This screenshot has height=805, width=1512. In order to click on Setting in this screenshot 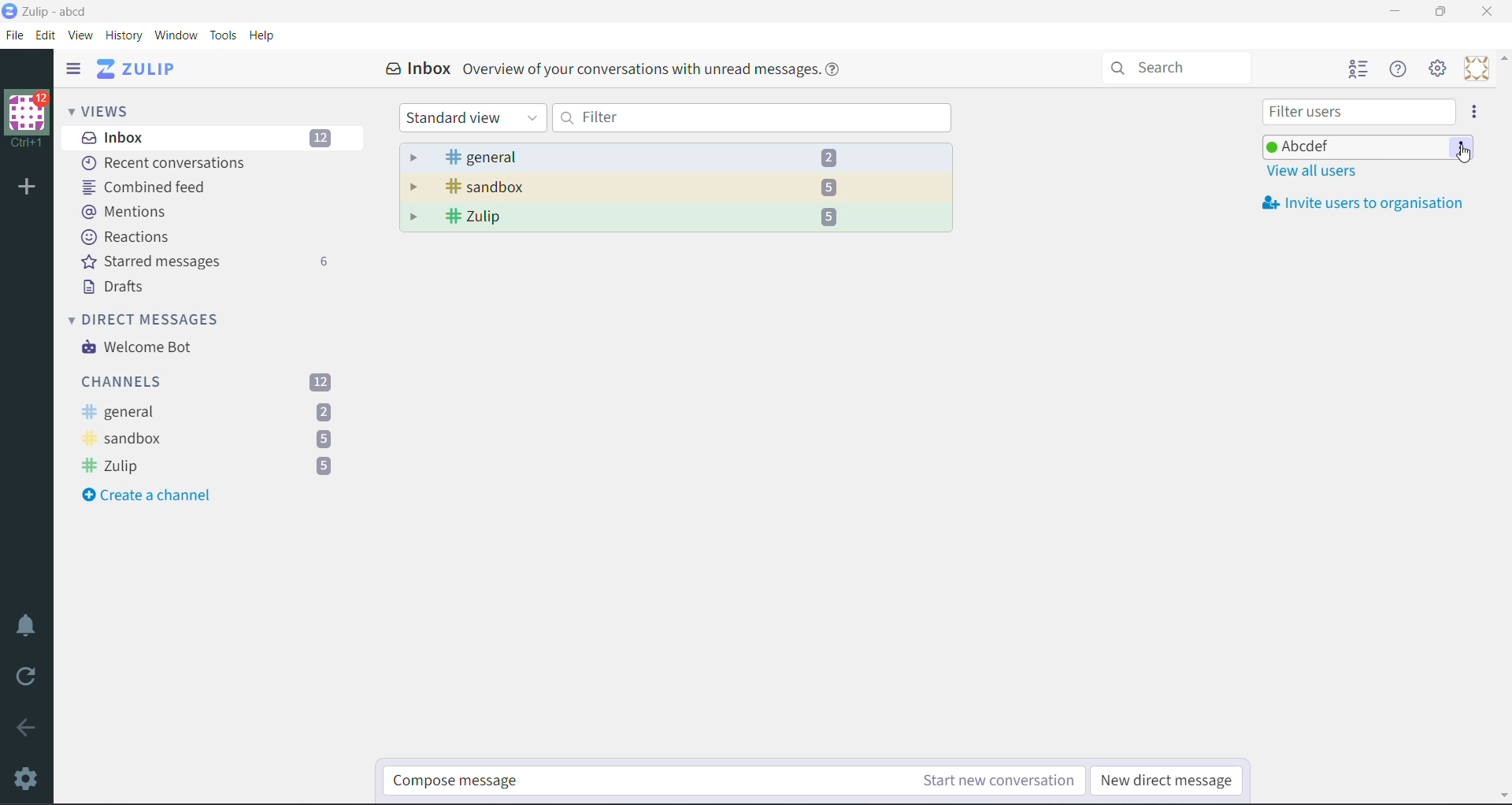, I will do `click(1439, 69)`.